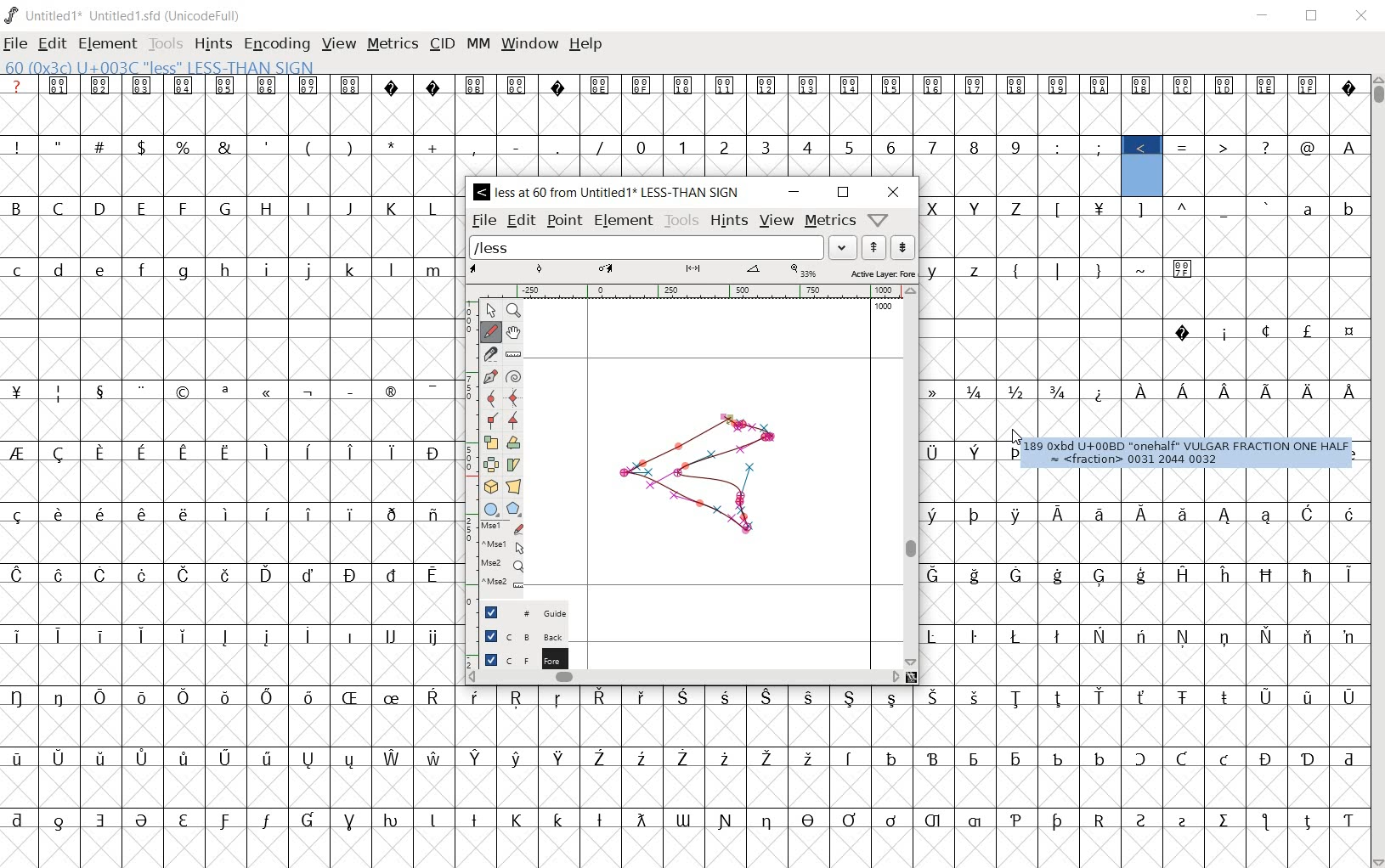 This screenshot has height=868, width=1385. What do you see at coordinates (682, 85) in the screenshot?
I see `special symbols` at bounding box center [682, 85].